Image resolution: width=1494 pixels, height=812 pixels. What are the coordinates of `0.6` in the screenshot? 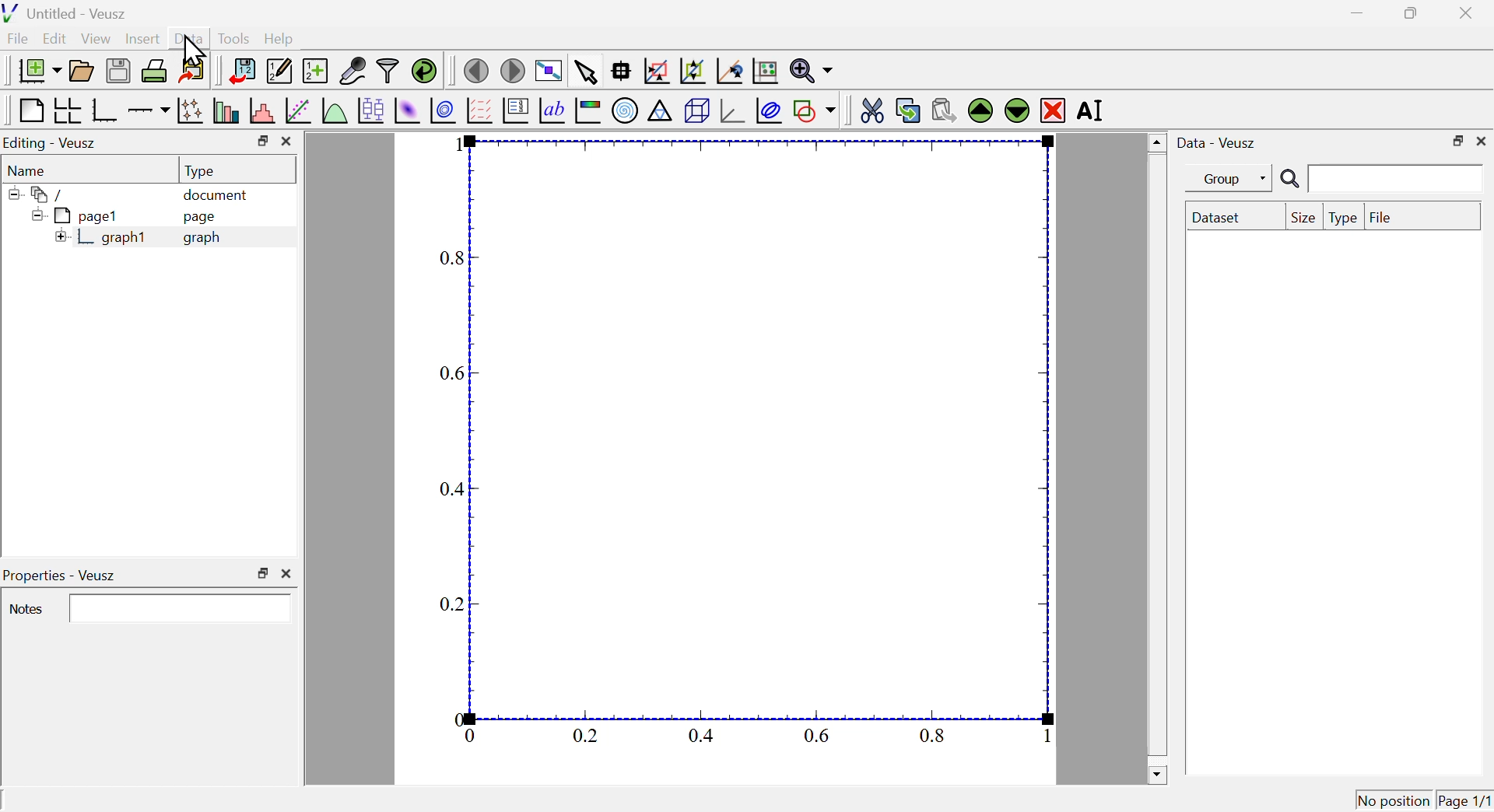 It's located at (451, 373).